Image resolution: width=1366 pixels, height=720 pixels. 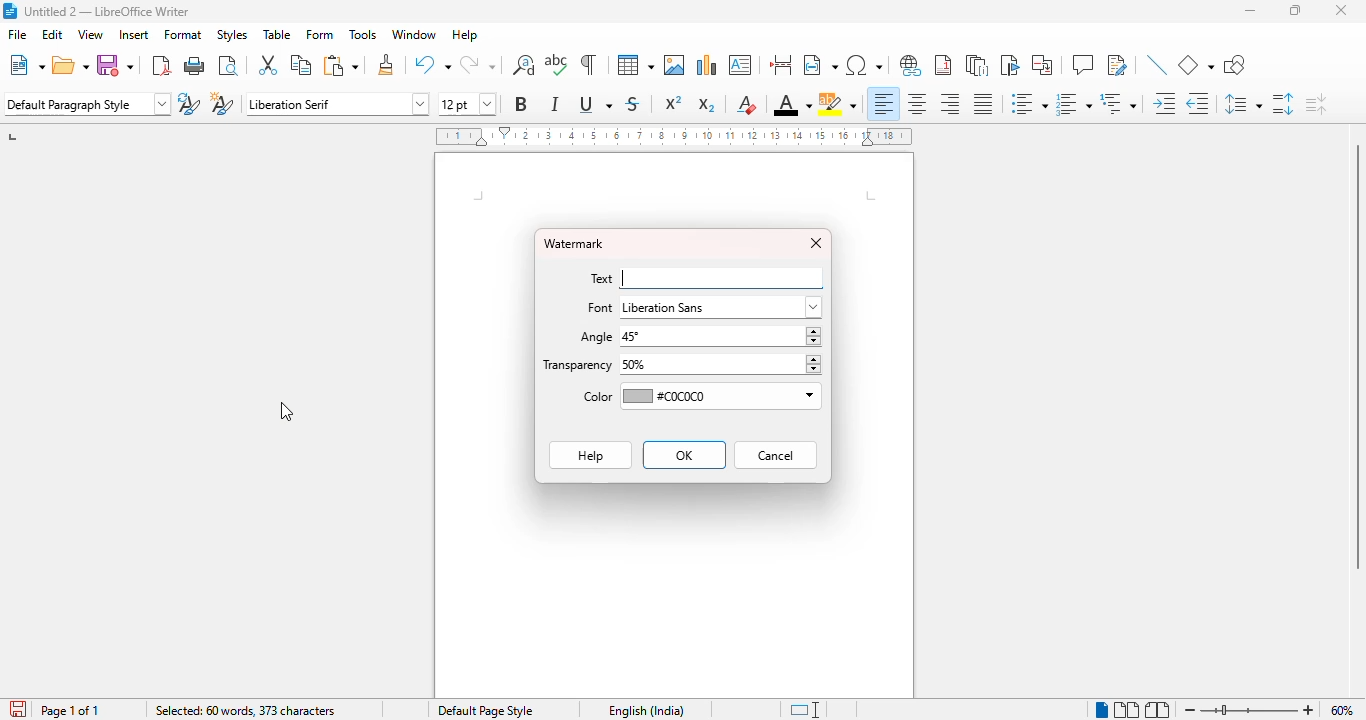 What do you see at coordinates (1197, 104) in the screenshot?
I see `decrease indent` at bounding box center [1197, 104].